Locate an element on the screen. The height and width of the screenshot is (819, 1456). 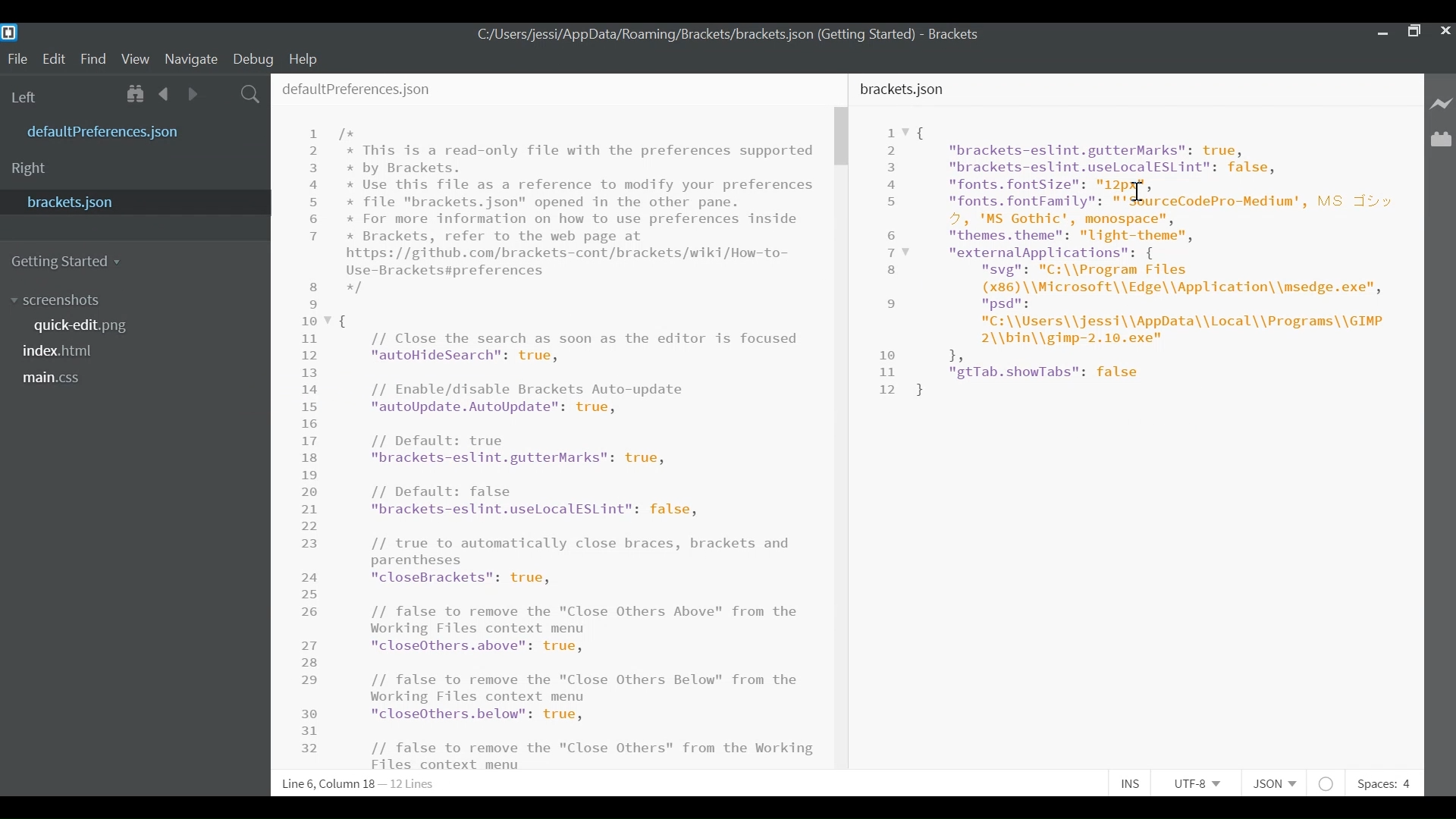
Brackets Desktop Icon  is located at coordinates (9, 32).